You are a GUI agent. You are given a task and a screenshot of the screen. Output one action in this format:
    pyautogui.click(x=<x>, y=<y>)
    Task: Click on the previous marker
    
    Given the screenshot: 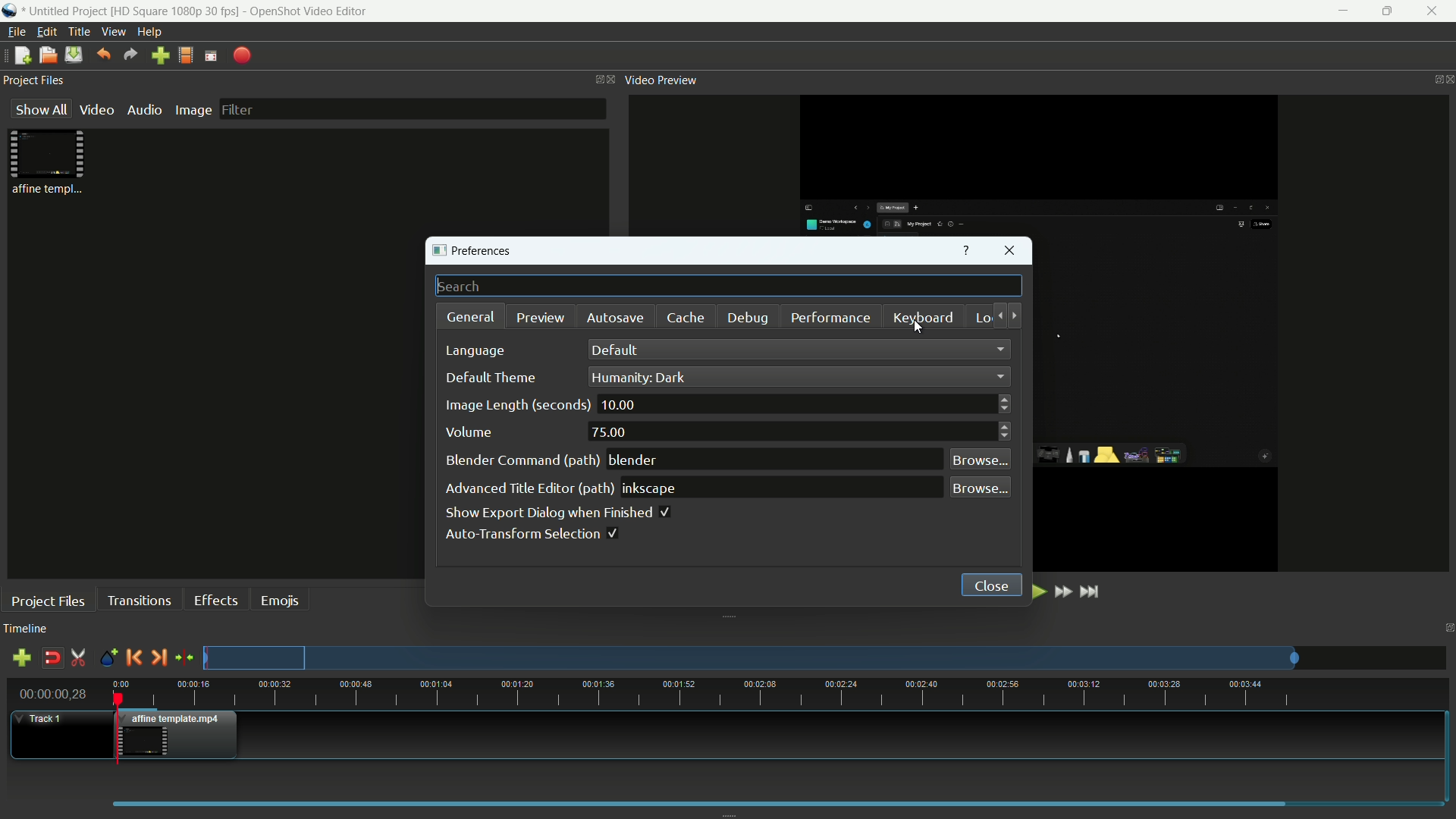 What is the action you would take?
    pyautogui.click(x=133, y=657)
    